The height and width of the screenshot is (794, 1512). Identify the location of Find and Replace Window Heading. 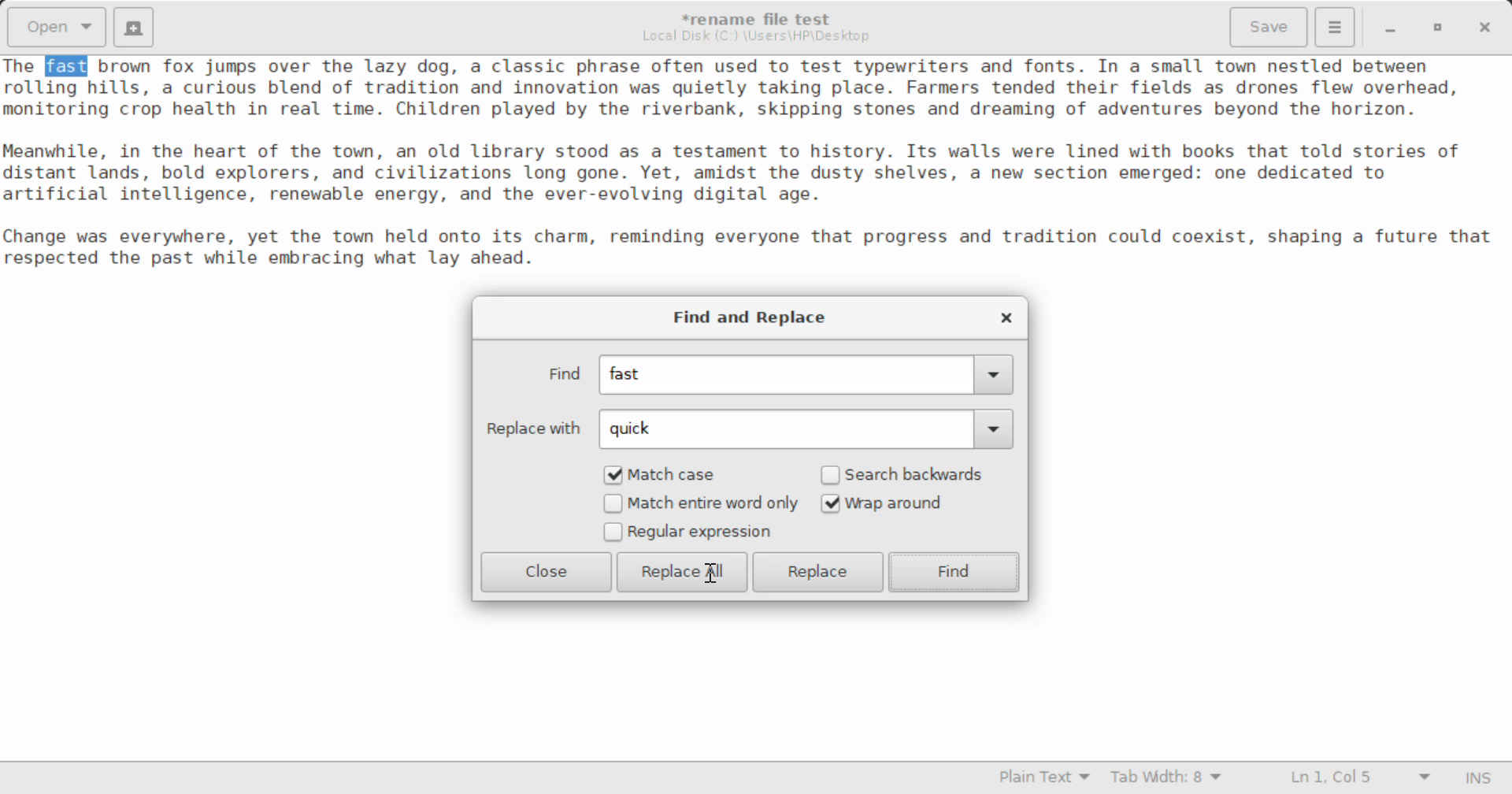
(751, 318).